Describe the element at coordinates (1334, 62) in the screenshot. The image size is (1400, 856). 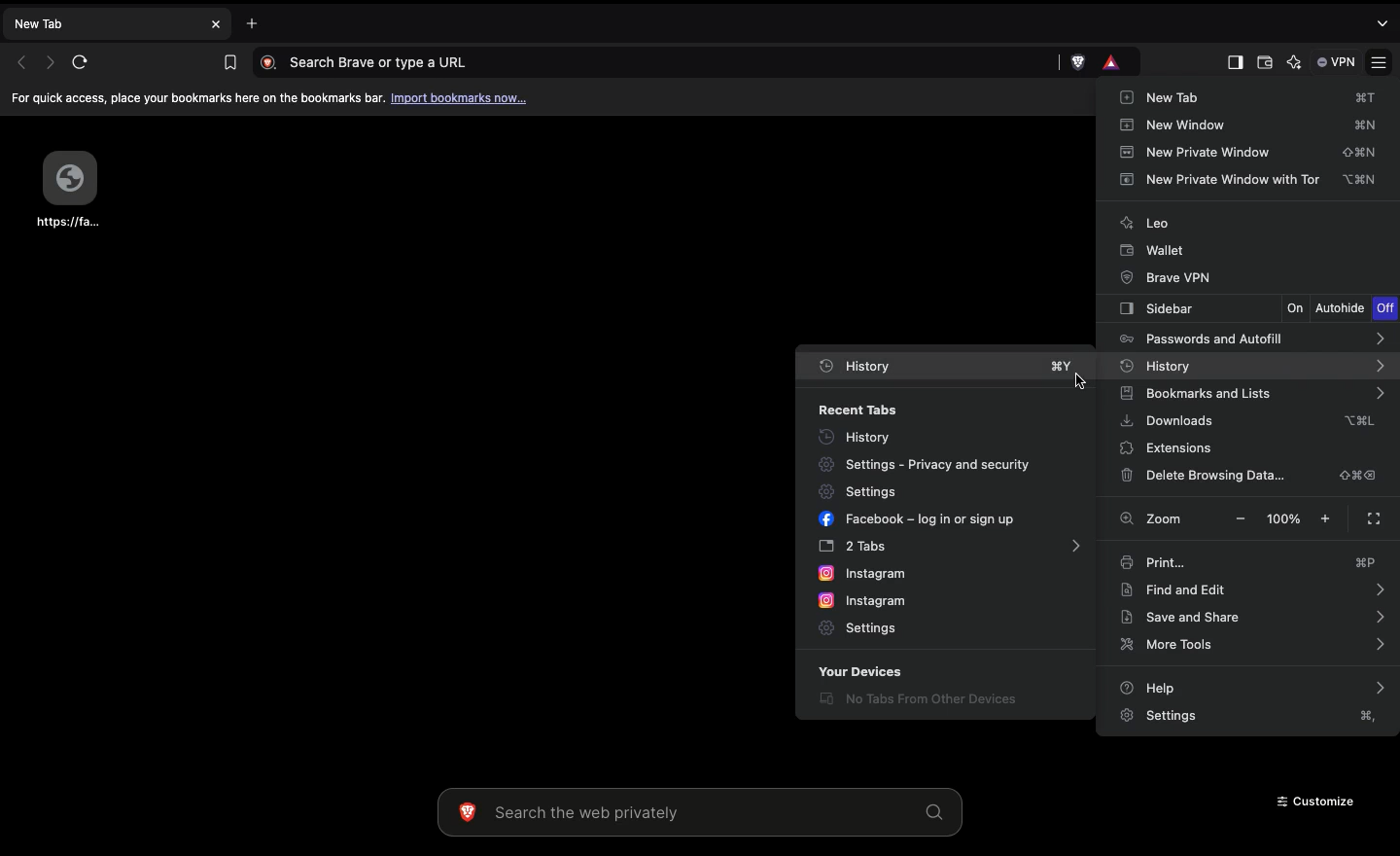
I see `VPN` at that location.